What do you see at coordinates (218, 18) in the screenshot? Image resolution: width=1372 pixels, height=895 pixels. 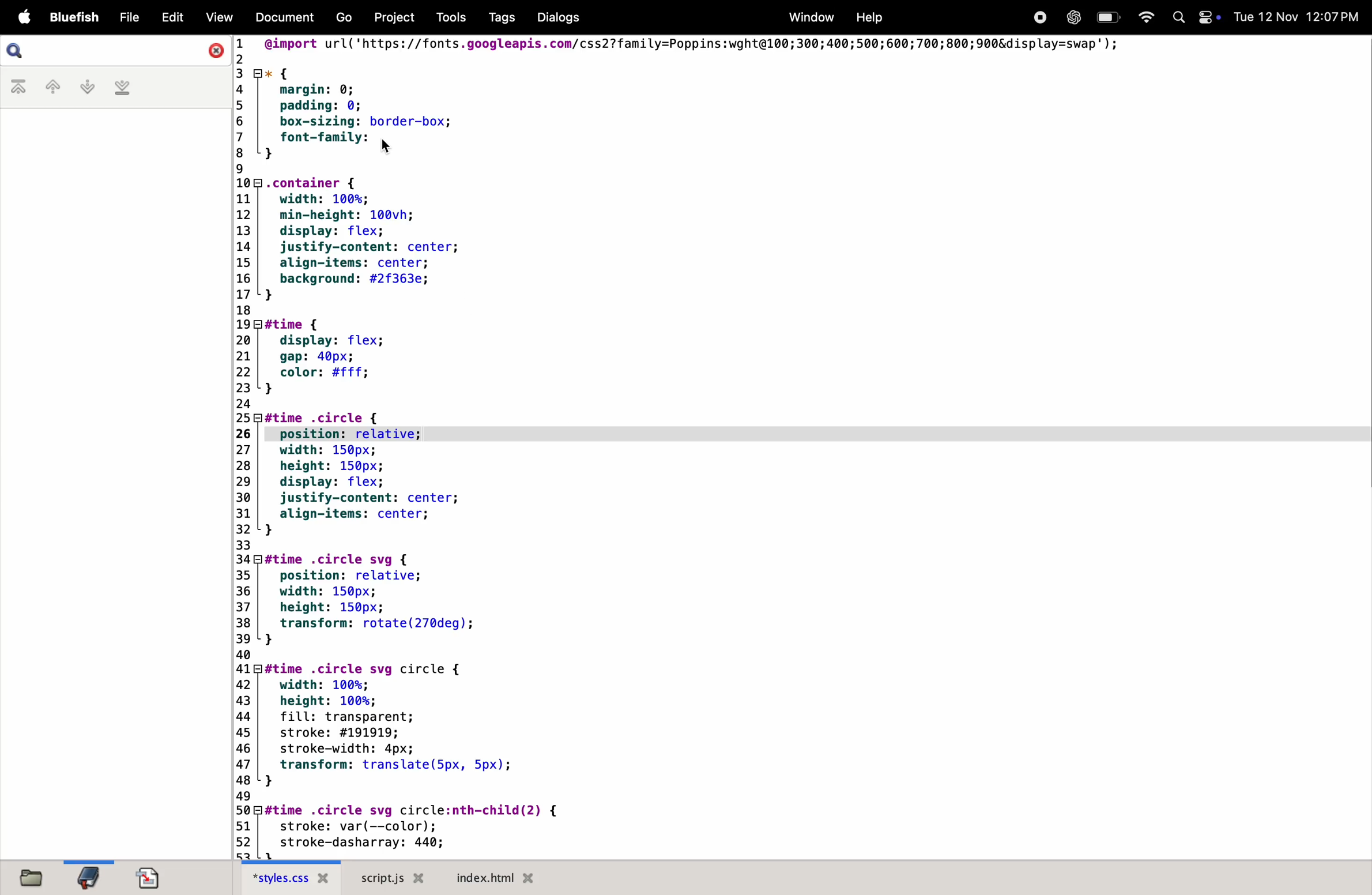 I see `view` at bounding box center [218, 18].